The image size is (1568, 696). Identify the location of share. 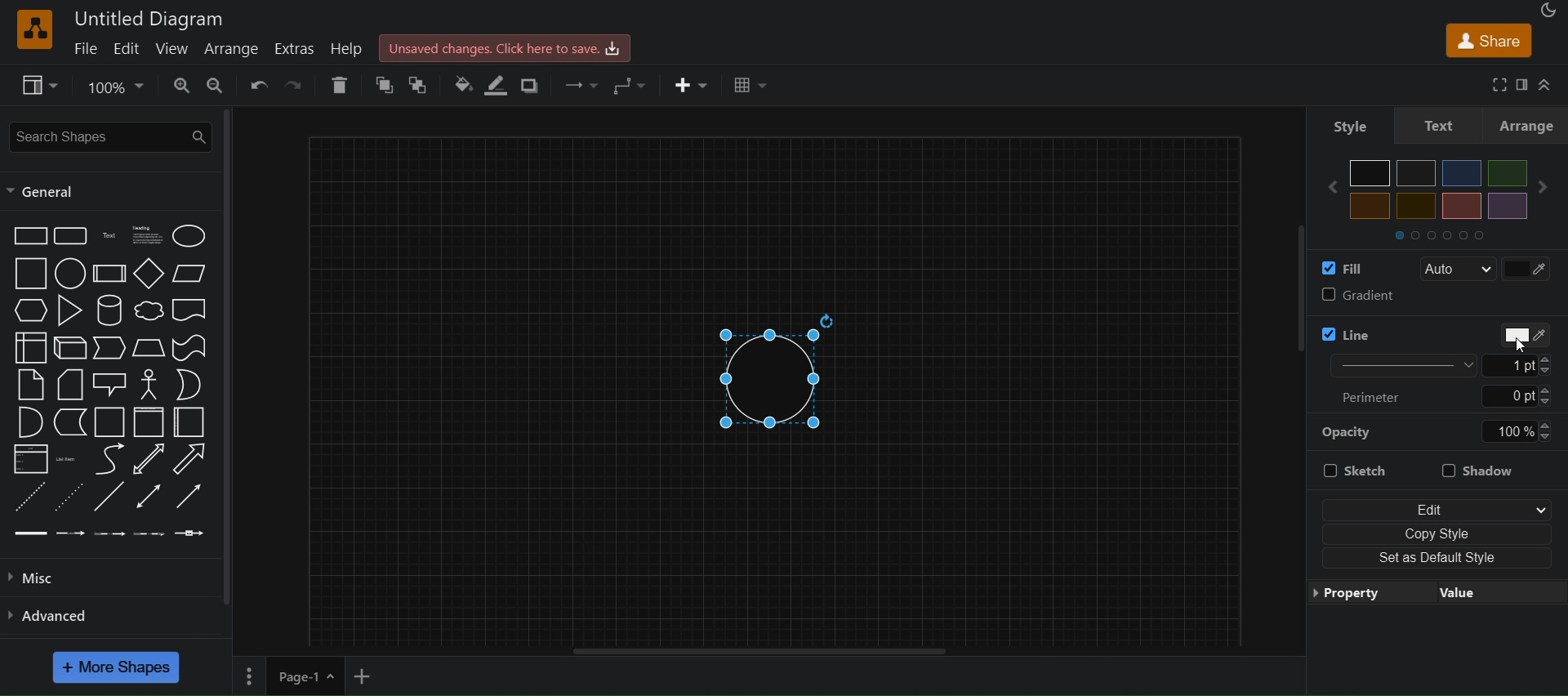
(1488, 42).